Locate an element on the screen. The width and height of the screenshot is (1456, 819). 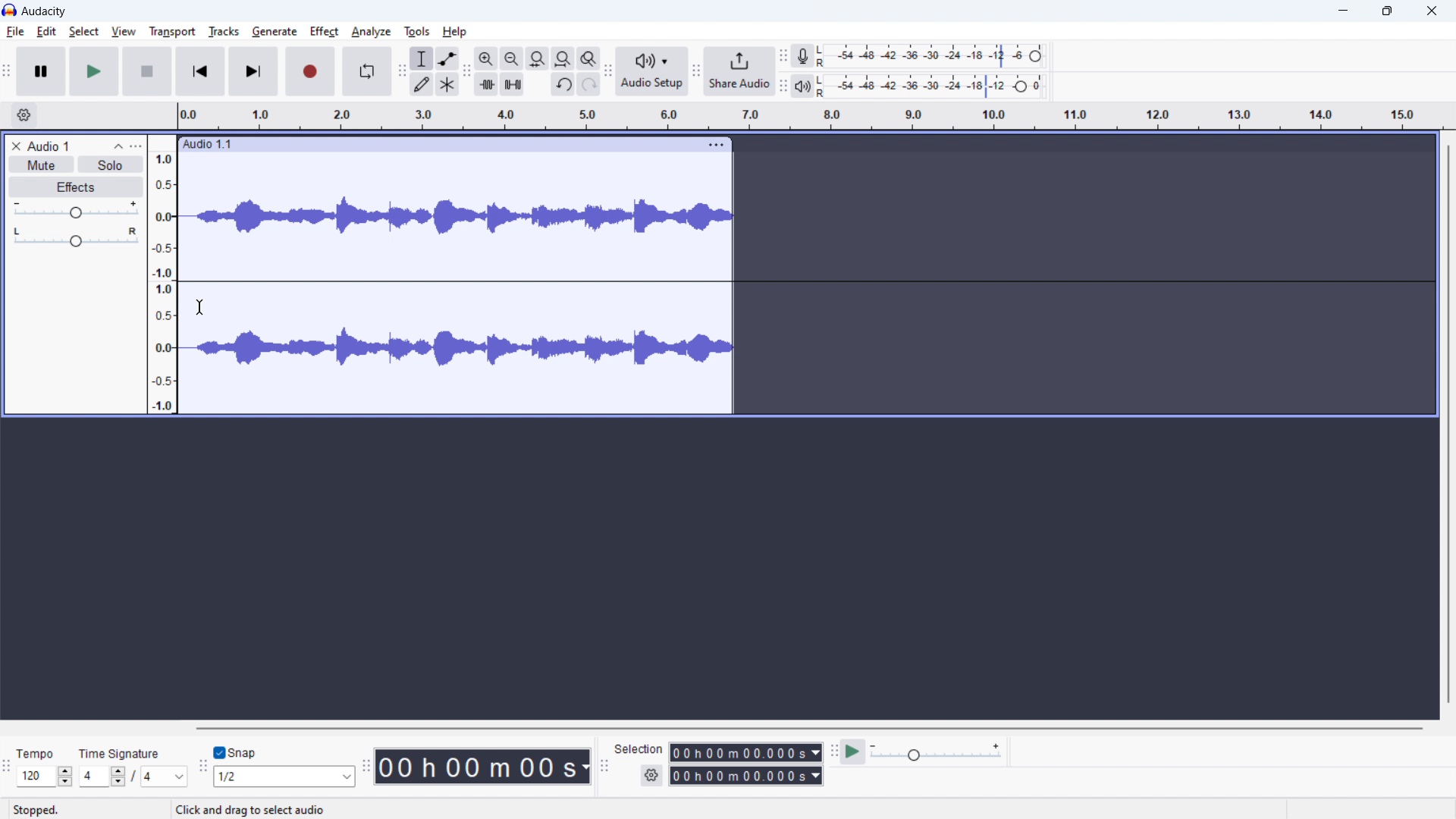
track control panel menu is located at coordinates (135, 146).